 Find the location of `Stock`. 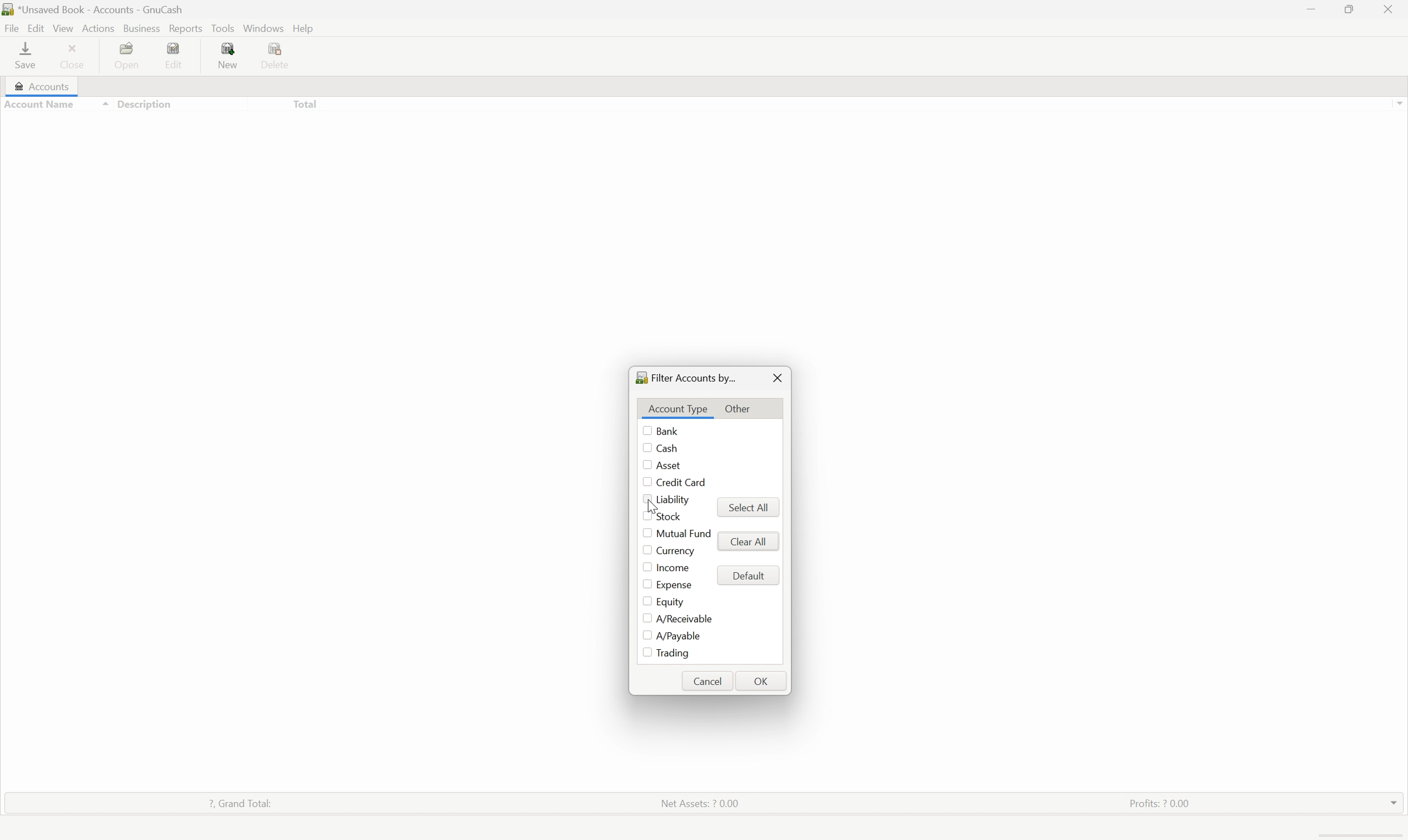

Stock is located at coordinates (673, 518).